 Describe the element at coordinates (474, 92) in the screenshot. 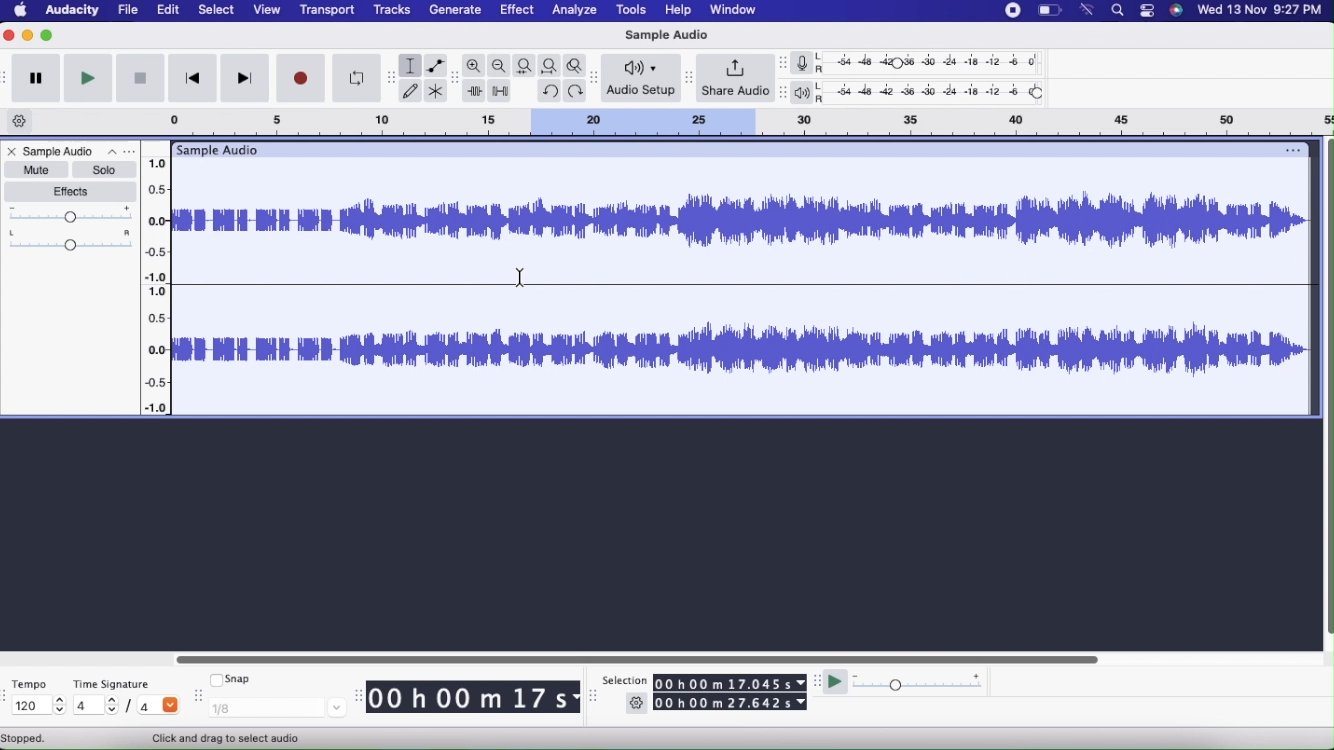

I see `Trim audio outside selection` at that location.